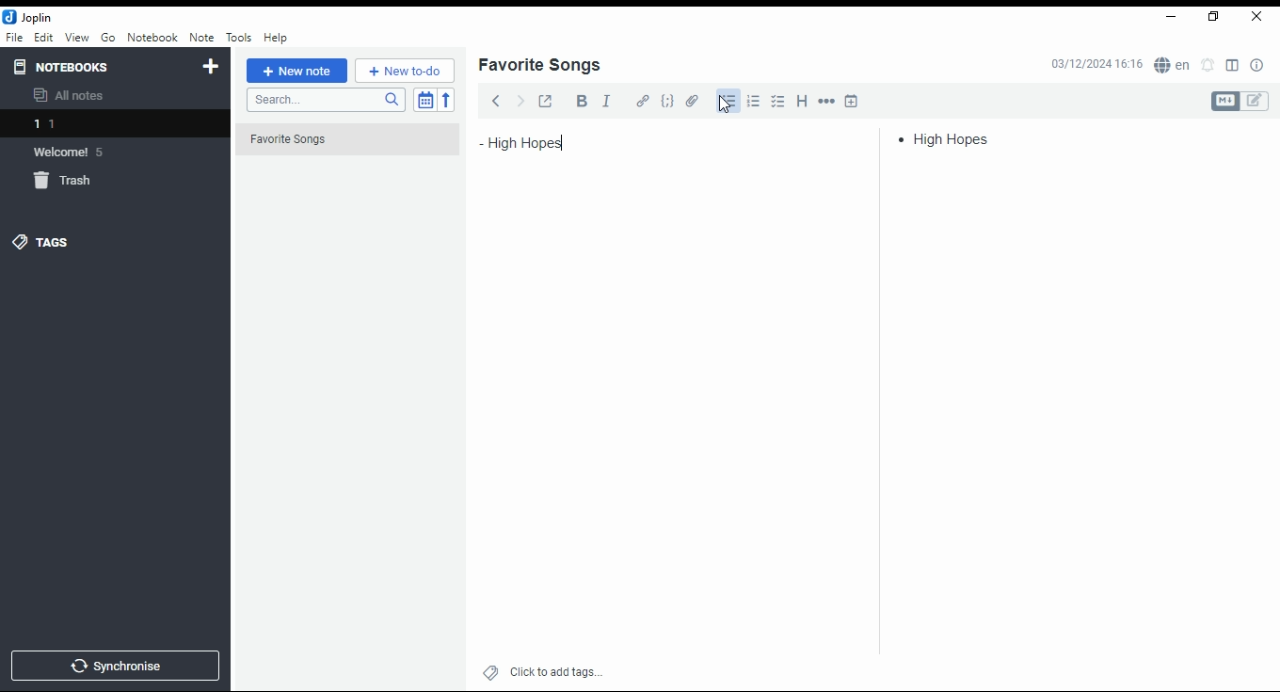 The width and height of the screenshot is (1280, 692). I want to click on attach file, so click(693, 100).